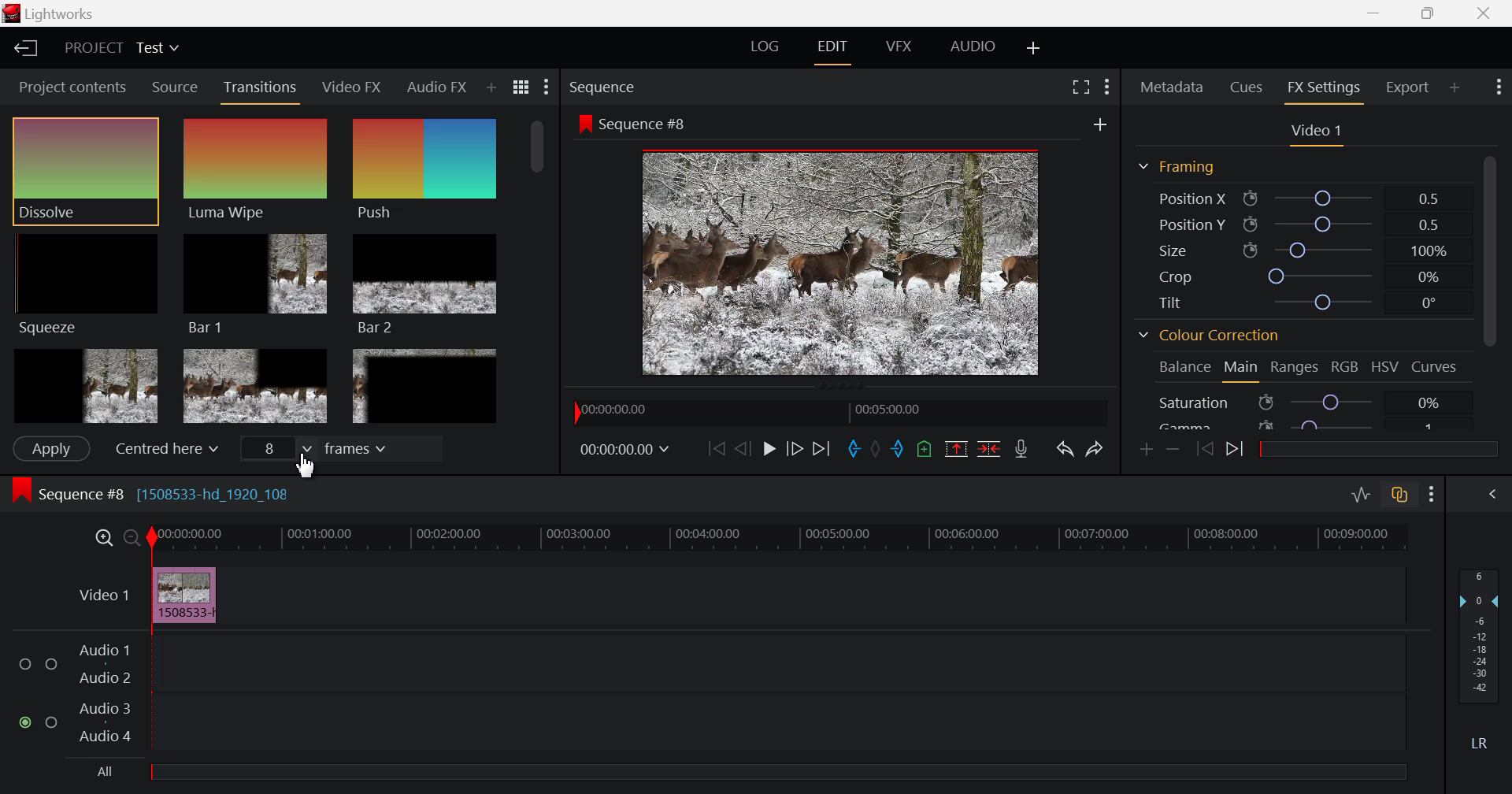  What do you see at coordinates (1213, 337) in the screenshot?
I see `Colour Correction` at bounding box center [1213, 337].